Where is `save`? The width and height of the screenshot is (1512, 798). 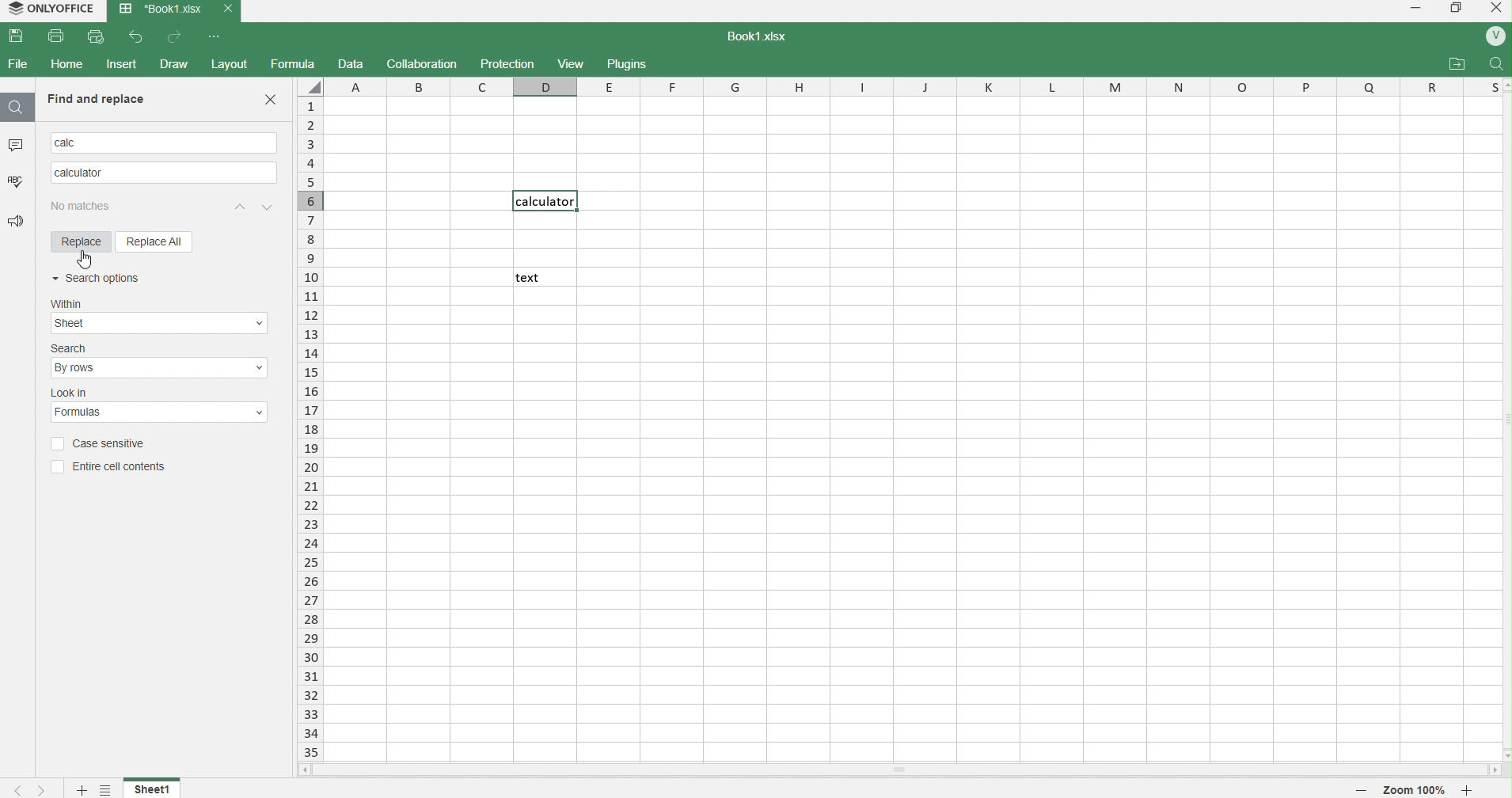
save is located at coordinates (21, 37).